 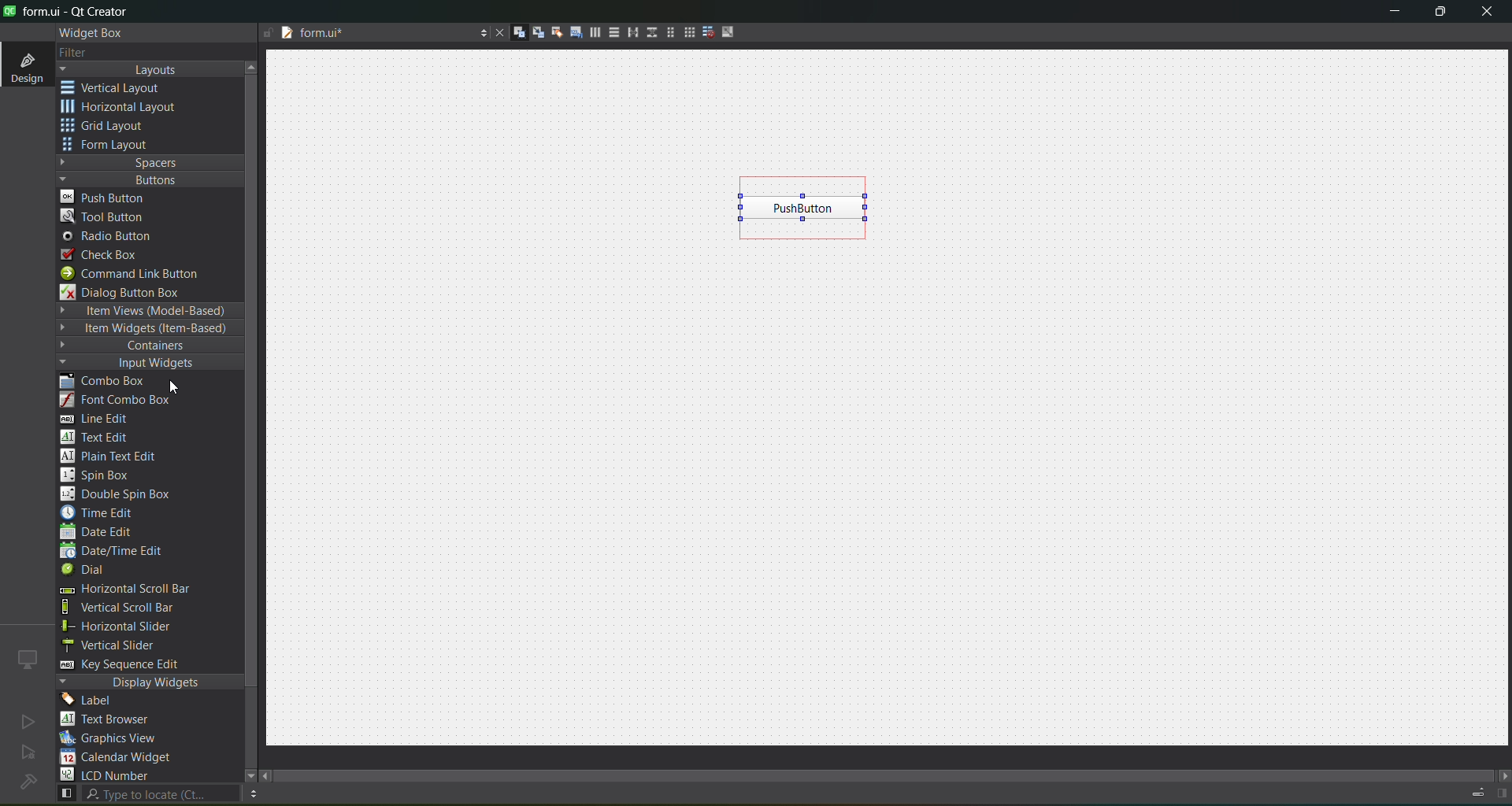 What do you see at coordinates (28, 721) in the screenshot?
I see `no active project` at bounding box center [28, 721].